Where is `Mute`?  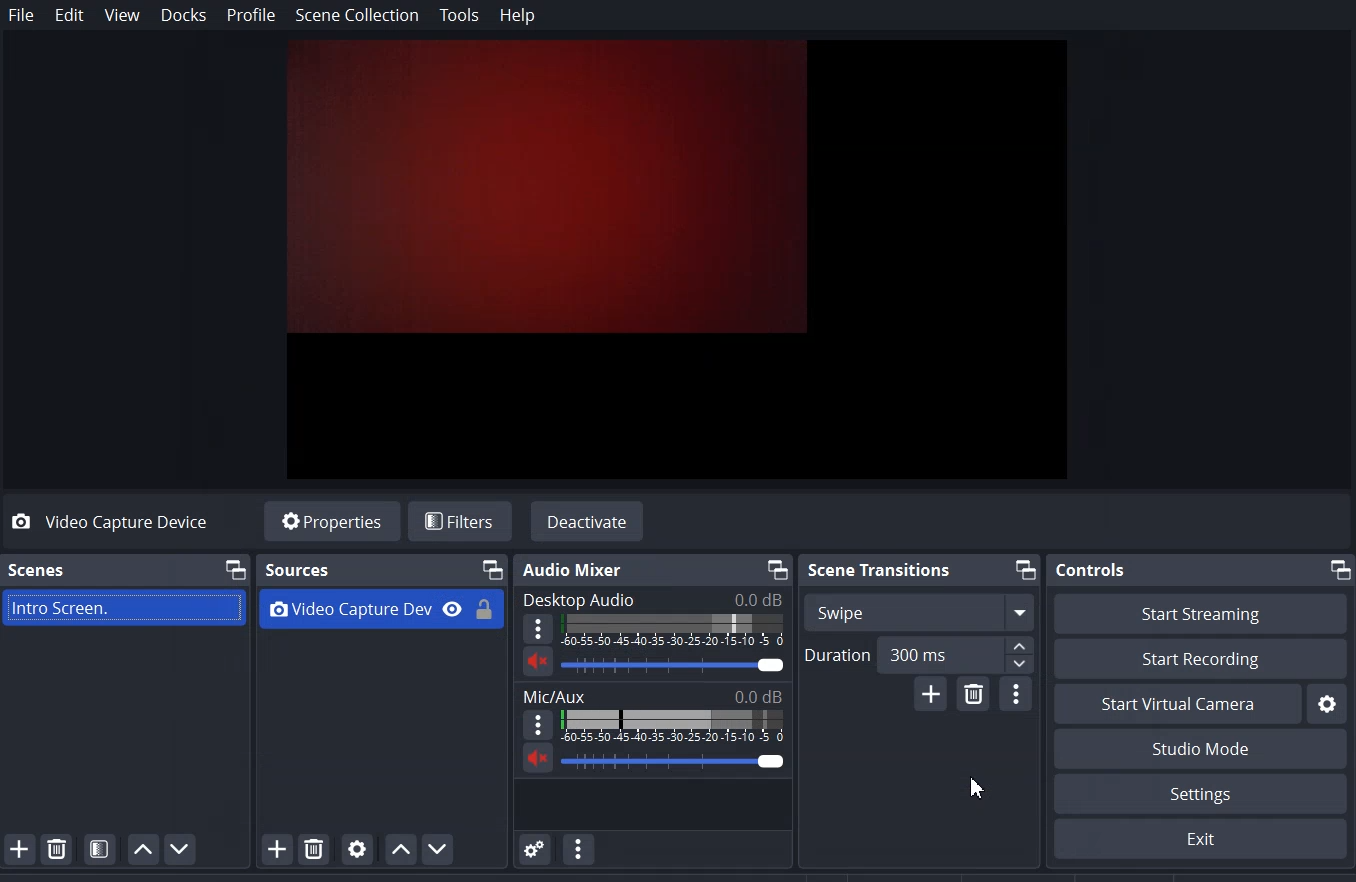 Mute is located at coordinates (539, 760).